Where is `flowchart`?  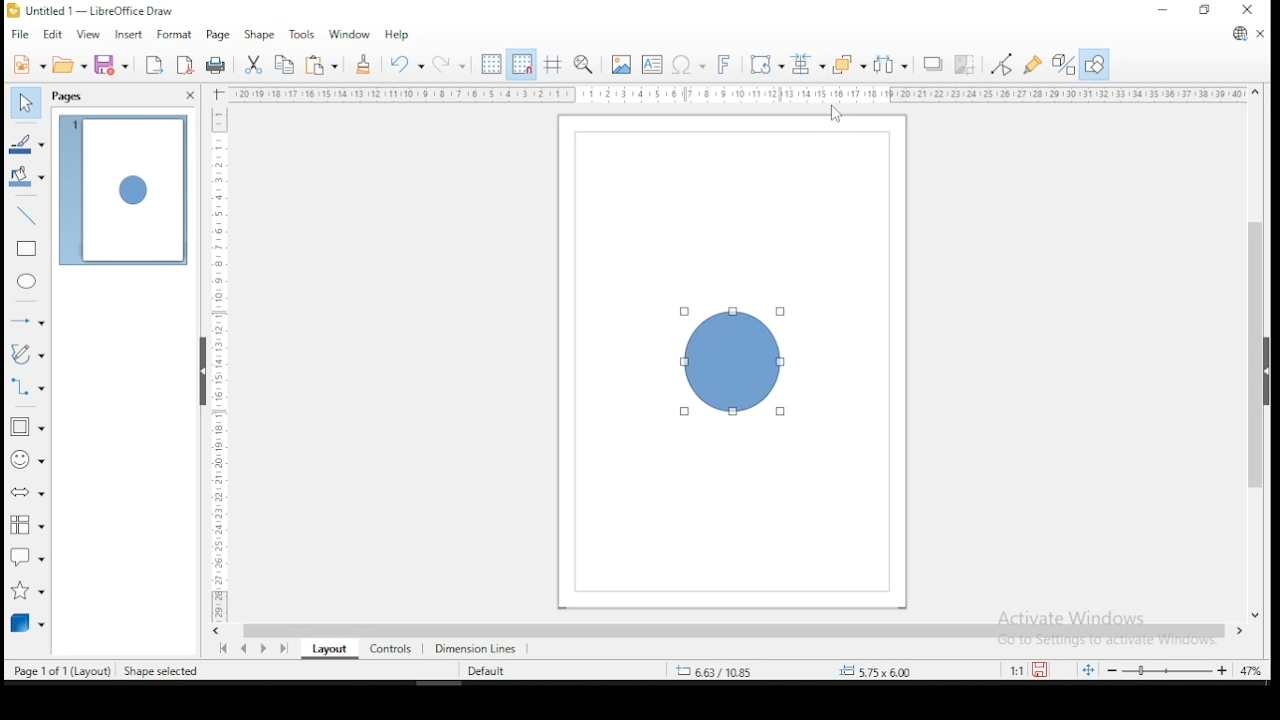 flowchart is located at coordinates (24, 525).